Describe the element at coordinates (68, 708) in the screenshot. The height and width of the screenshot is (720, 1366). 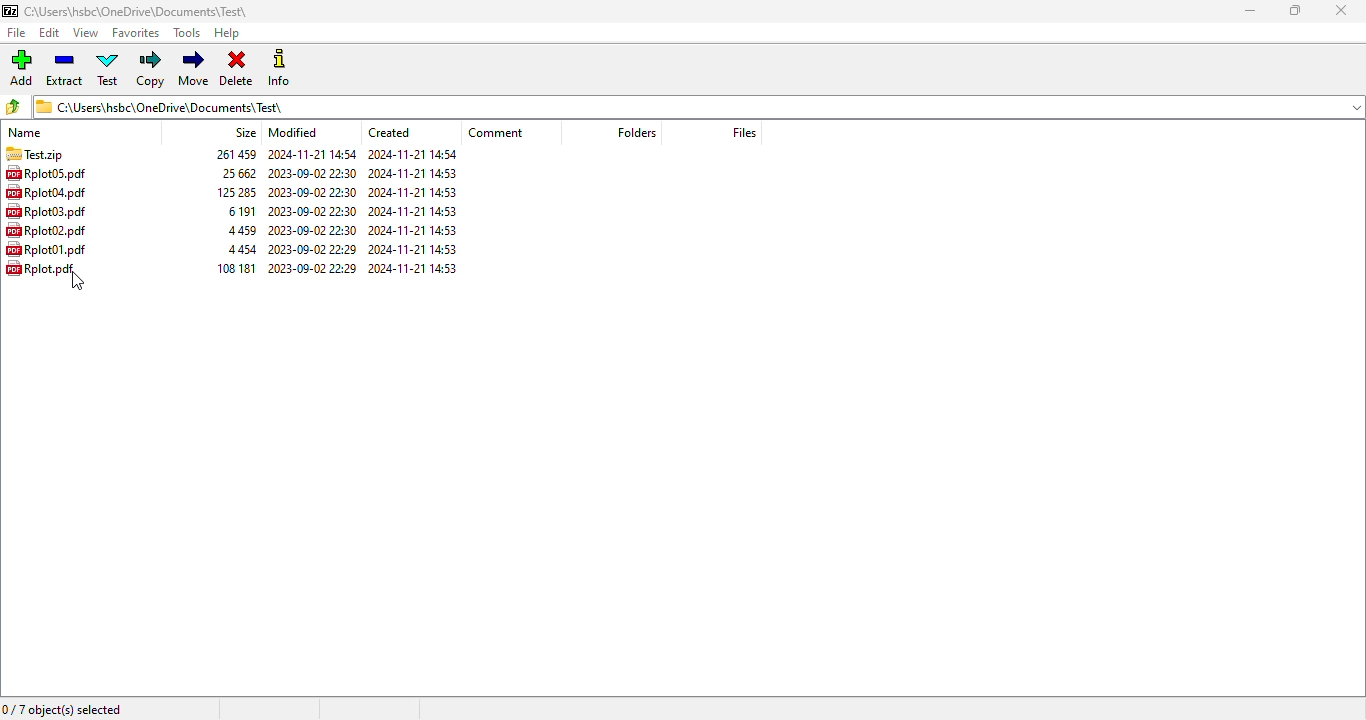
I see `0/7 object(s) selected` at that location.